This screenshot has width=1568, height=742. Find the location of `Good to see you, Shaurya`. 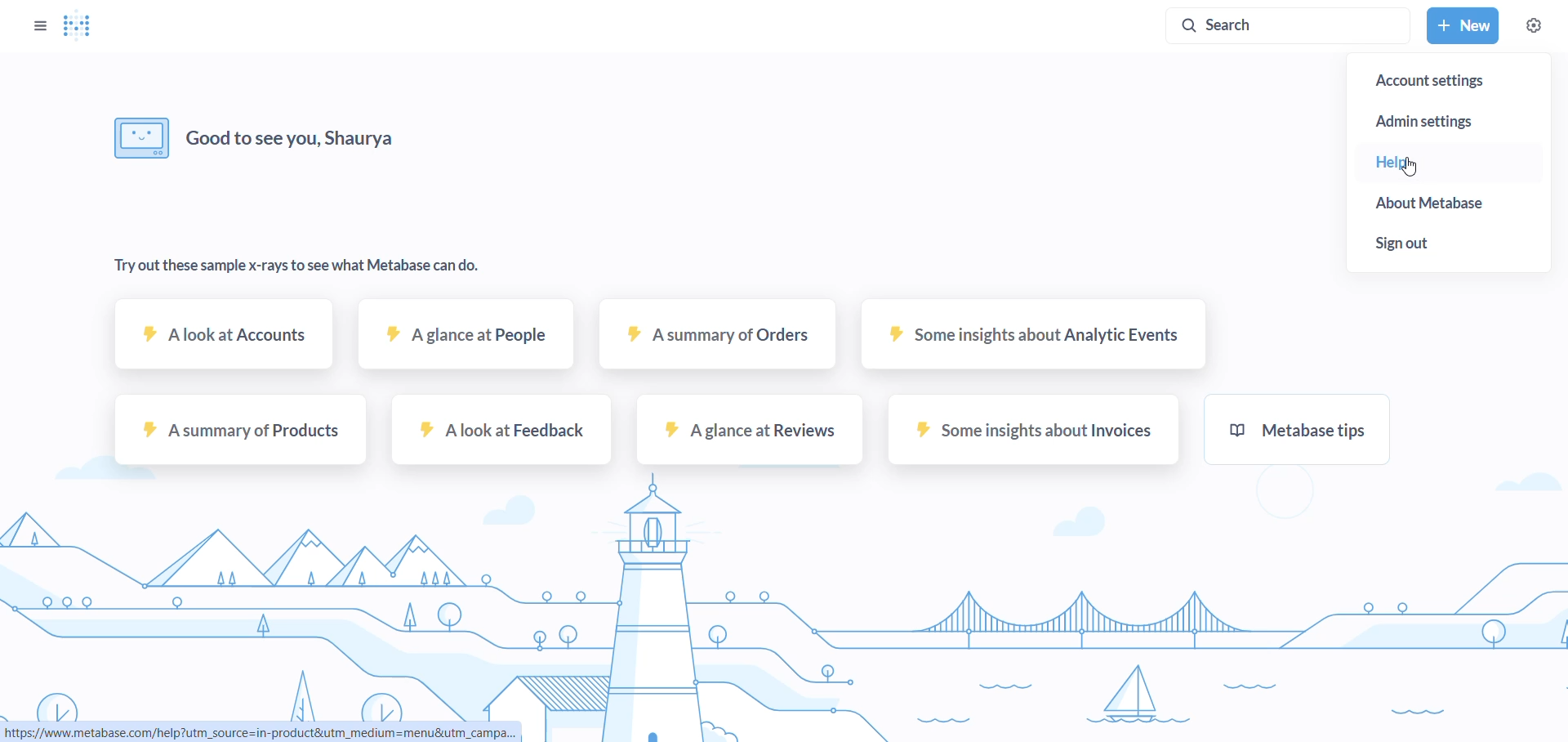

Good to see you, Shaurya is located at coordinates (318, 135).